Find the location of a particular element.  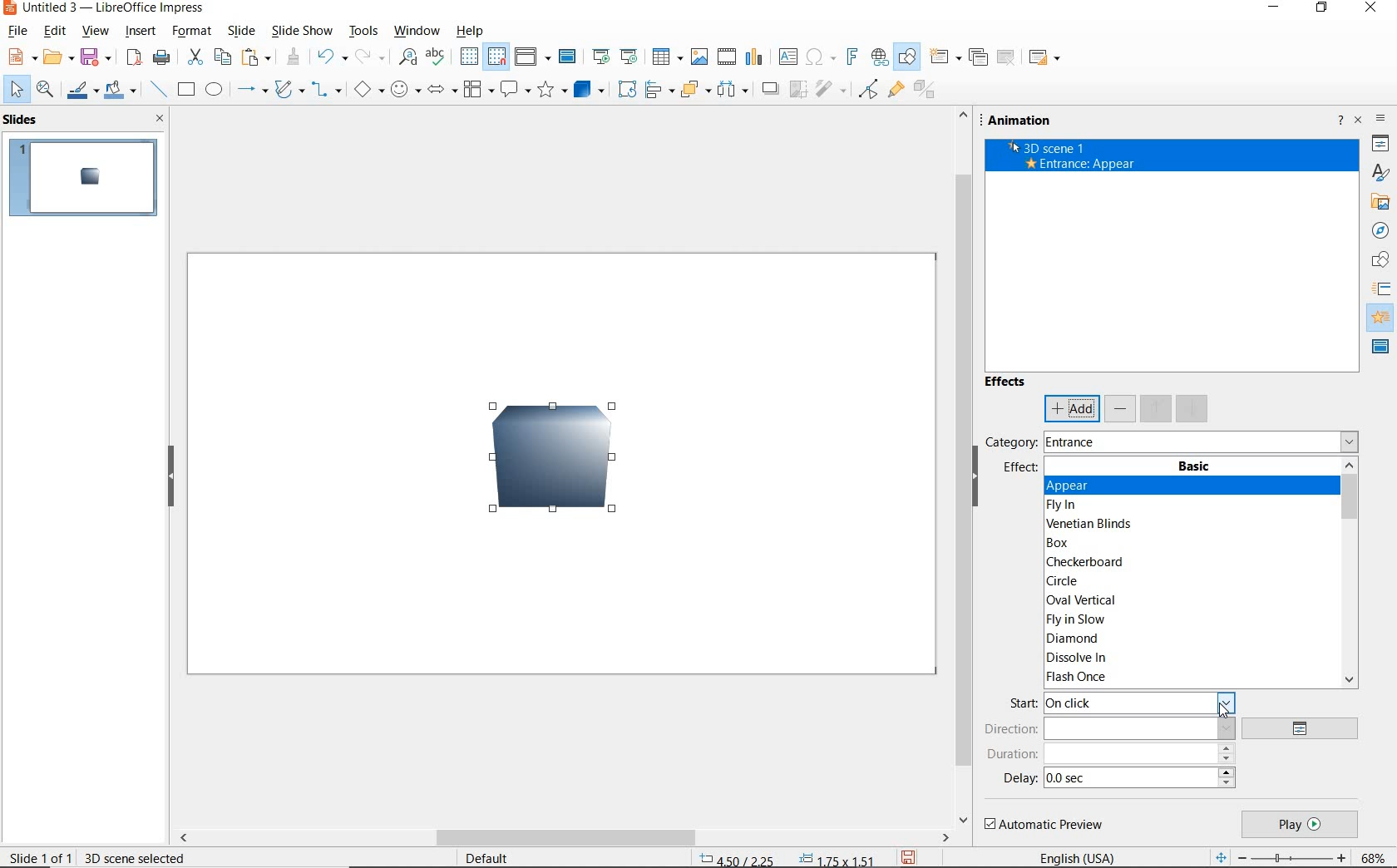

save is located at coordinates (908, 856).